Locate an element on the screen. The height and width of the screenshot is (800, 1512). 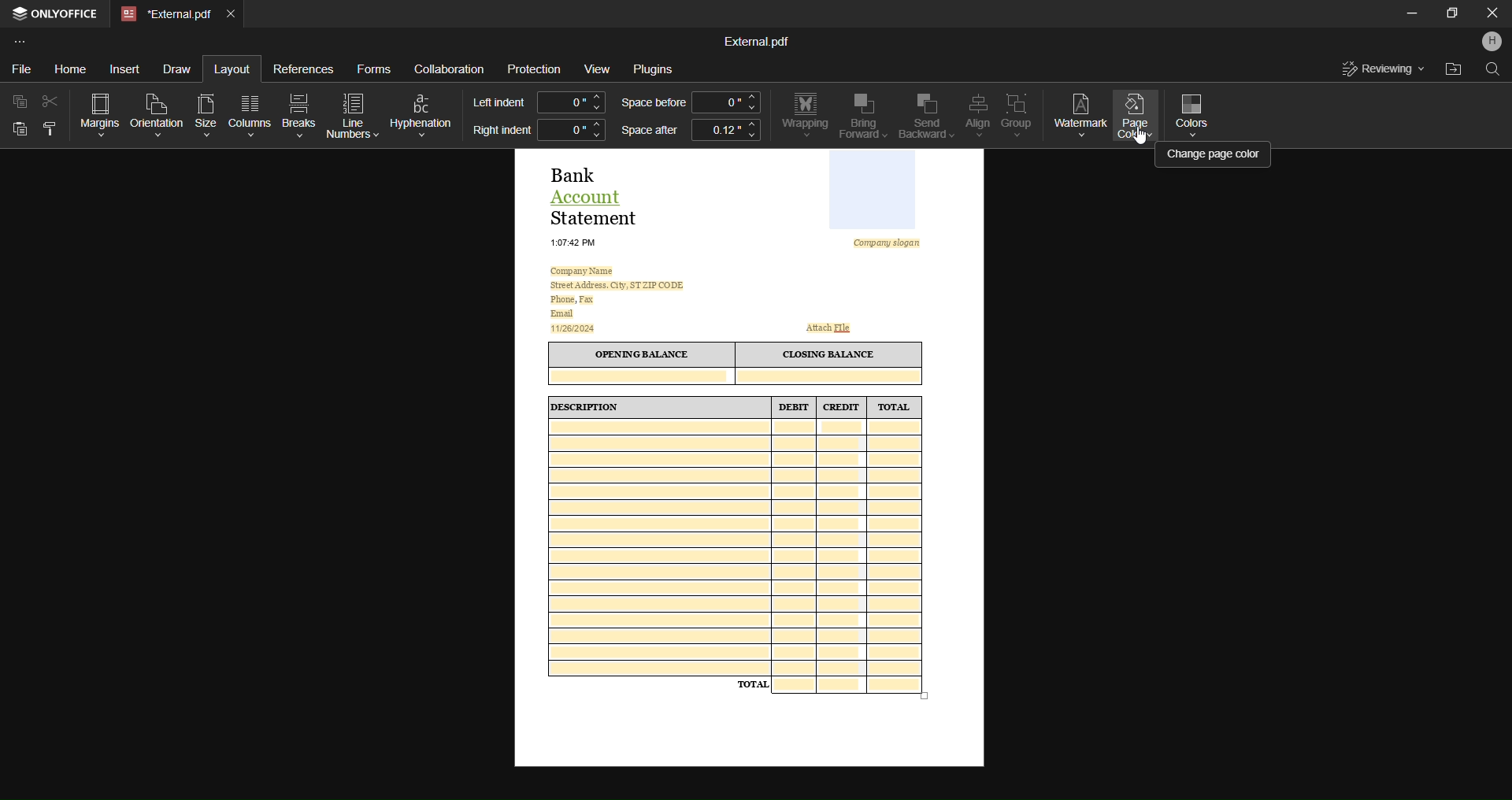
cursor is located at coordinates (1139, 136).